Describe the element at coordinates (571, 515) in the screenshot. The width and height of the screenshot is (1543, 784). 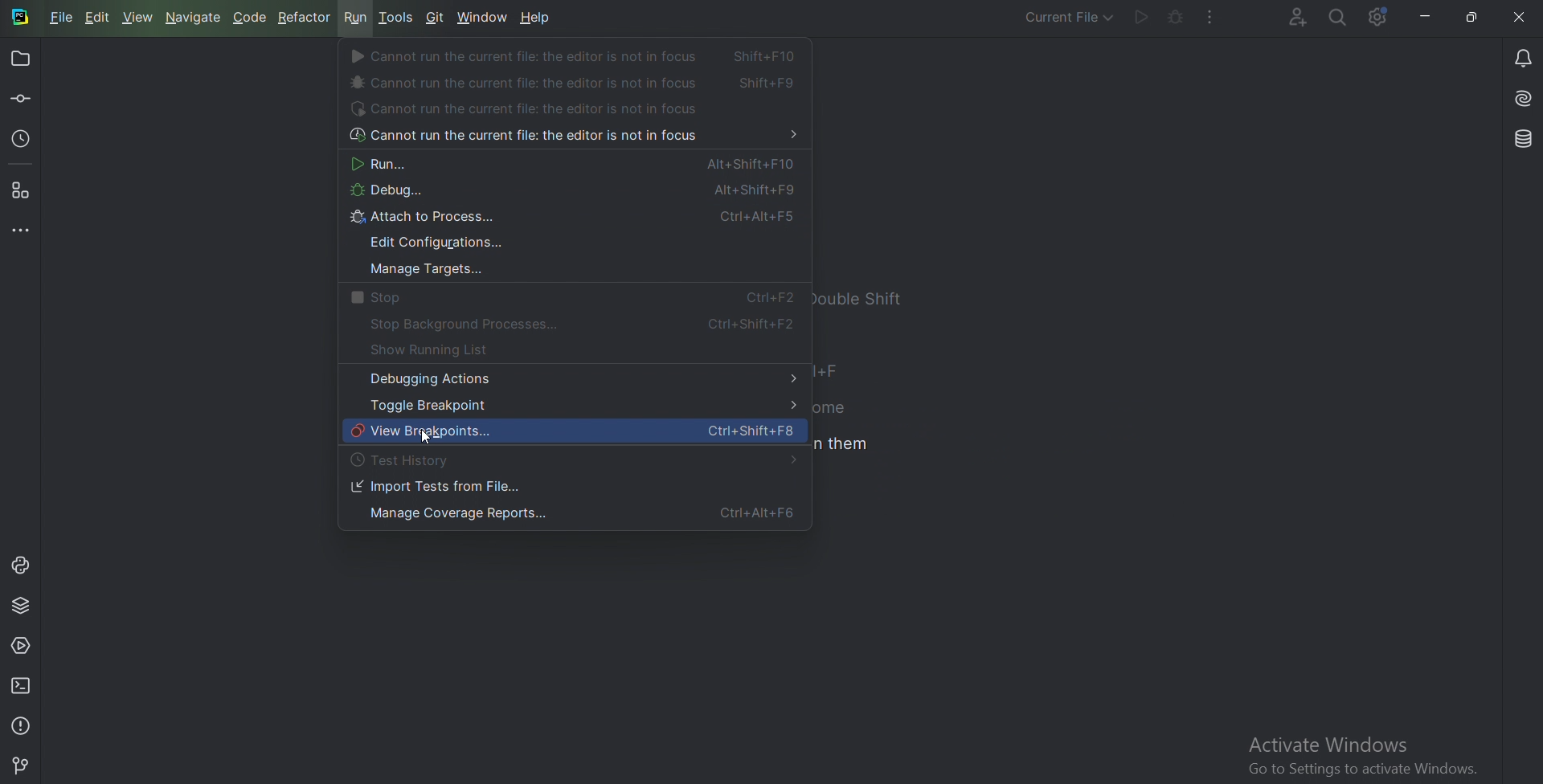
I see `Manage coverage reports` at that location.